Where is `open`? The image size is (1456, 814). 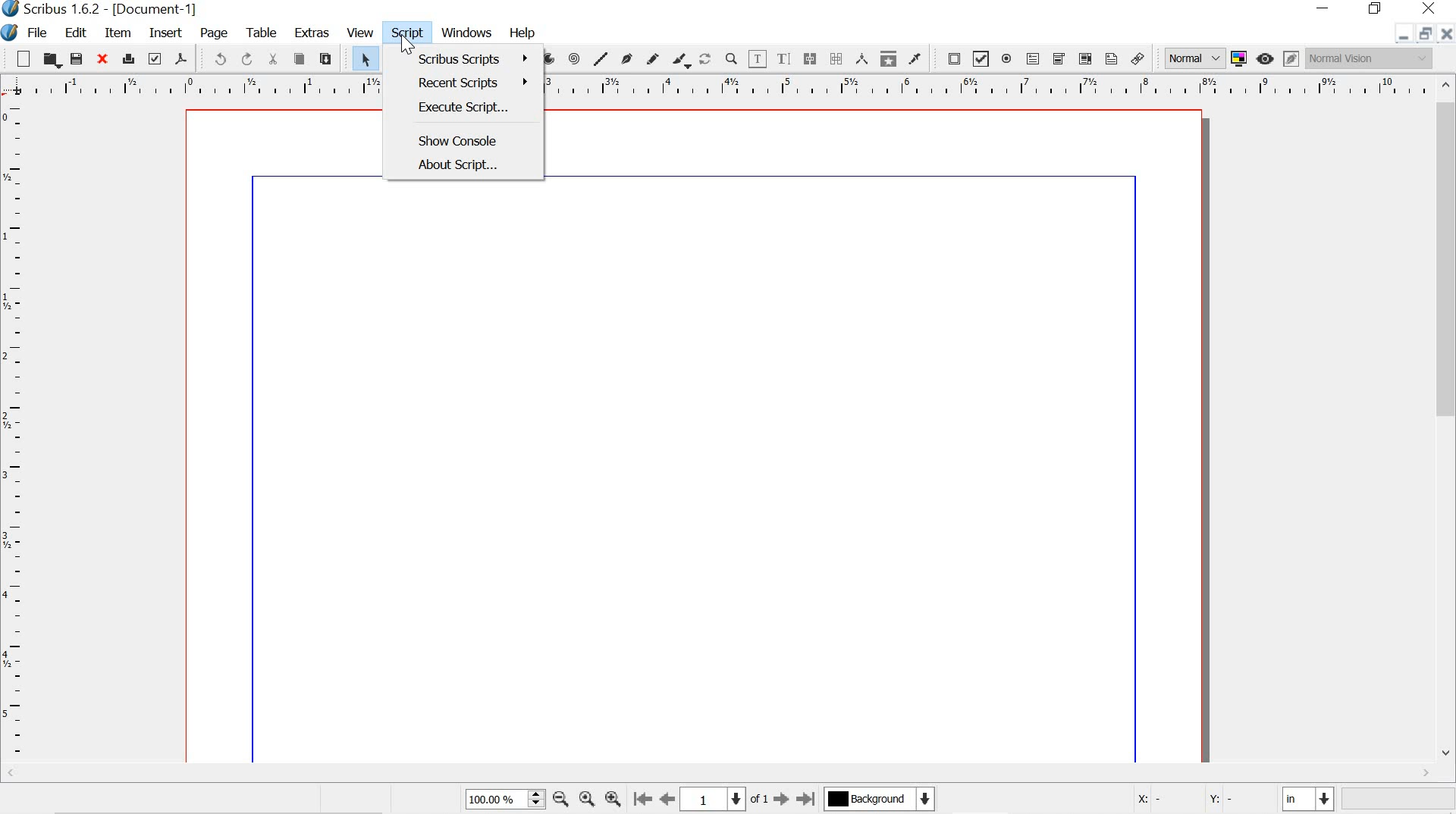 open is located at coordinates (52, 60).